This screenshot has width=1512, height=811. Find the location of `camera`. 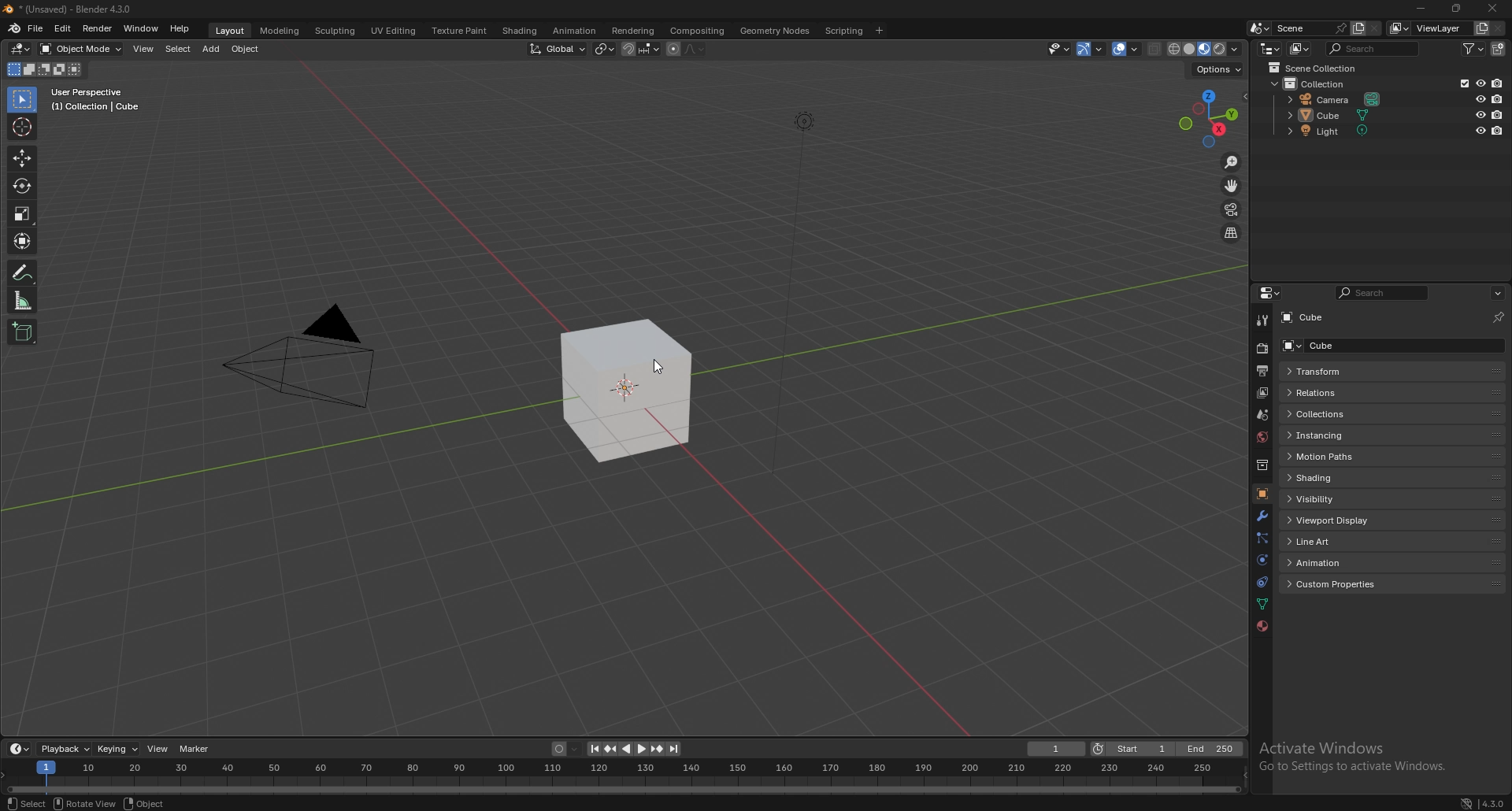

camera is located at coordinates (1332, 99).